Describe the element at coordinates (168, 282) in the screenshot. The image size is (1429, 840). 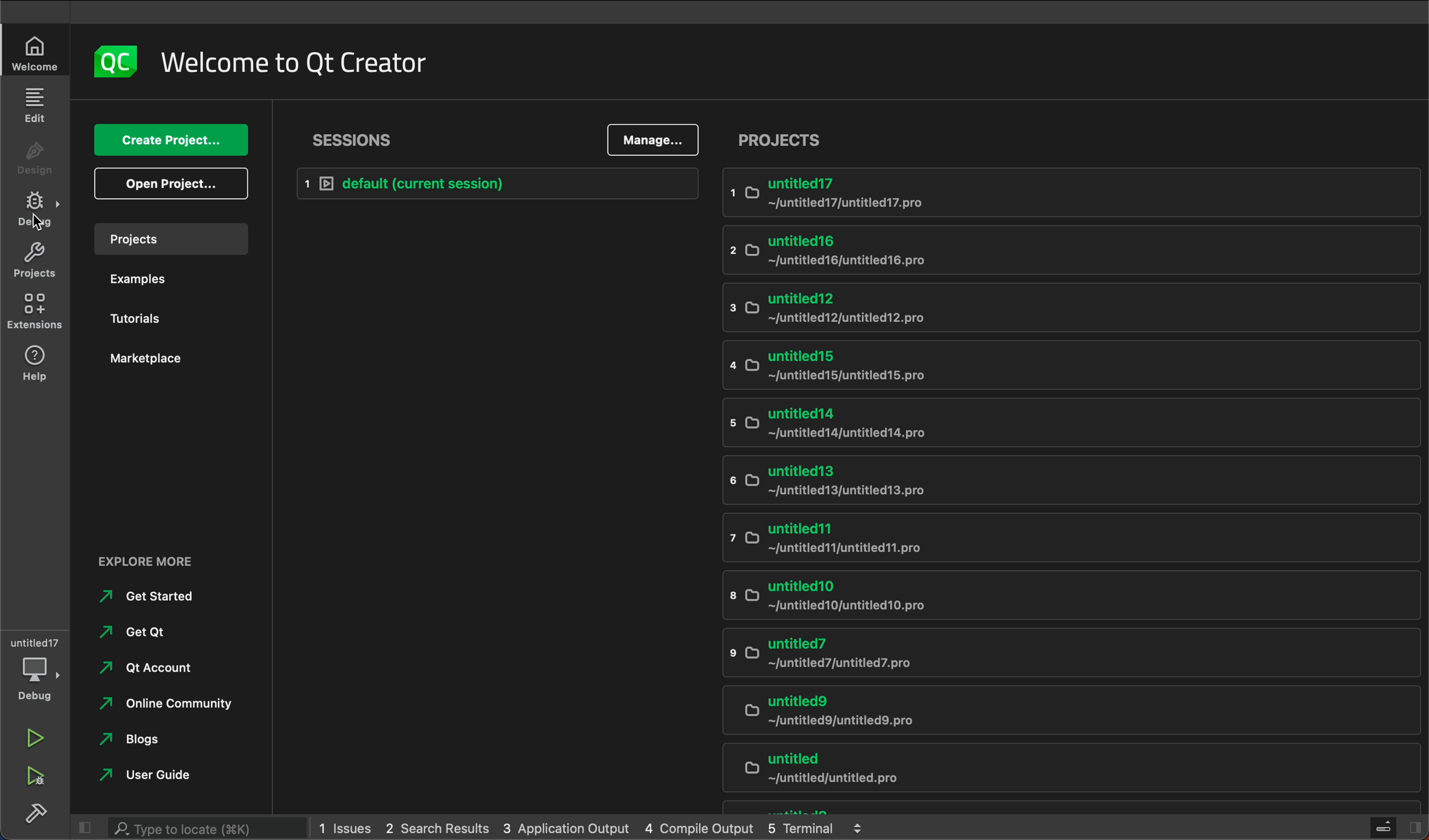
I see `examples` at that location.